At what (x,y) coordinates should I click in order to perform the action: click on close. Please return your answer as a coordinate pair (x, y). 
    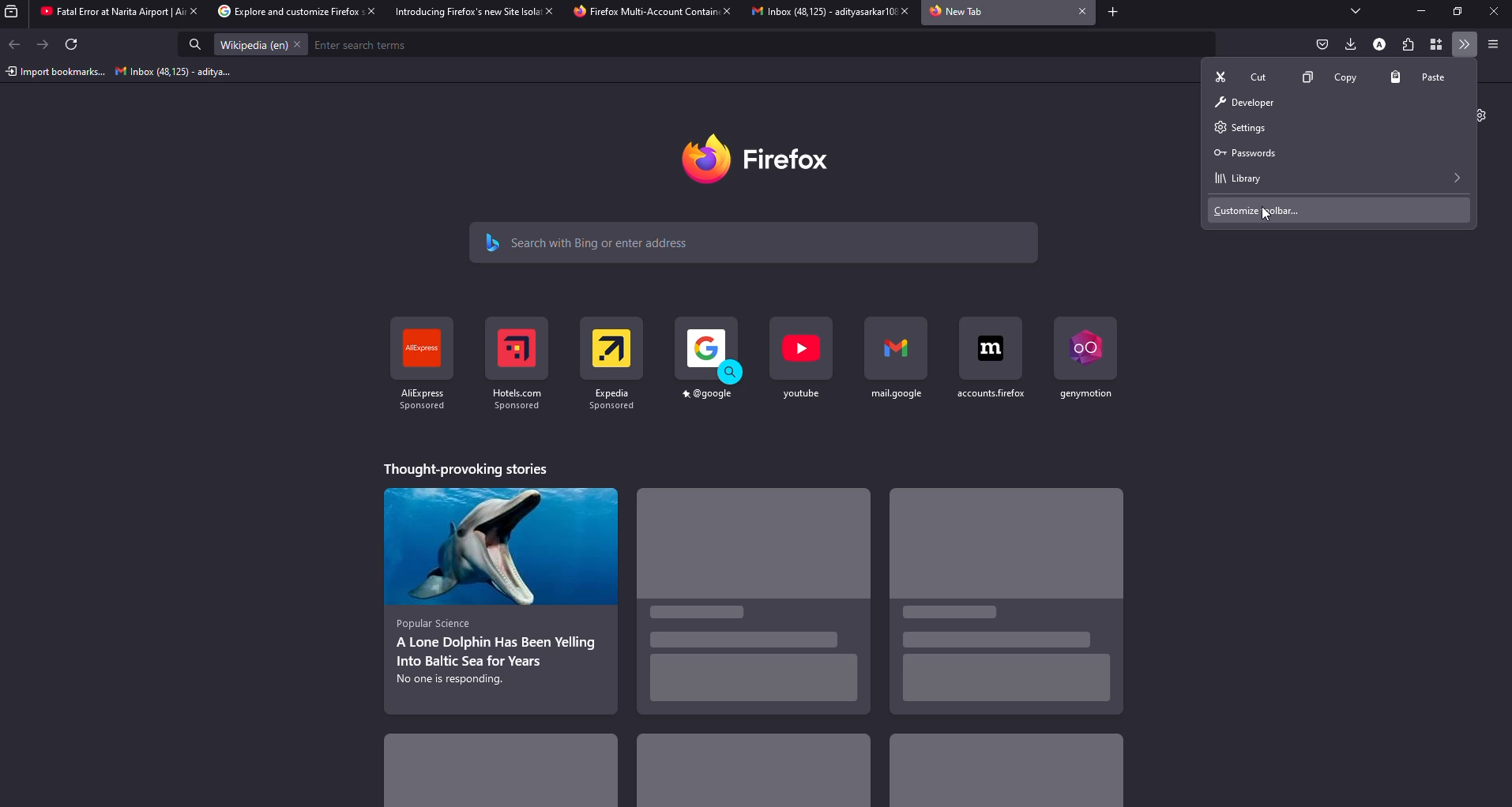
    Looking at the image, I should click on (546, 10).